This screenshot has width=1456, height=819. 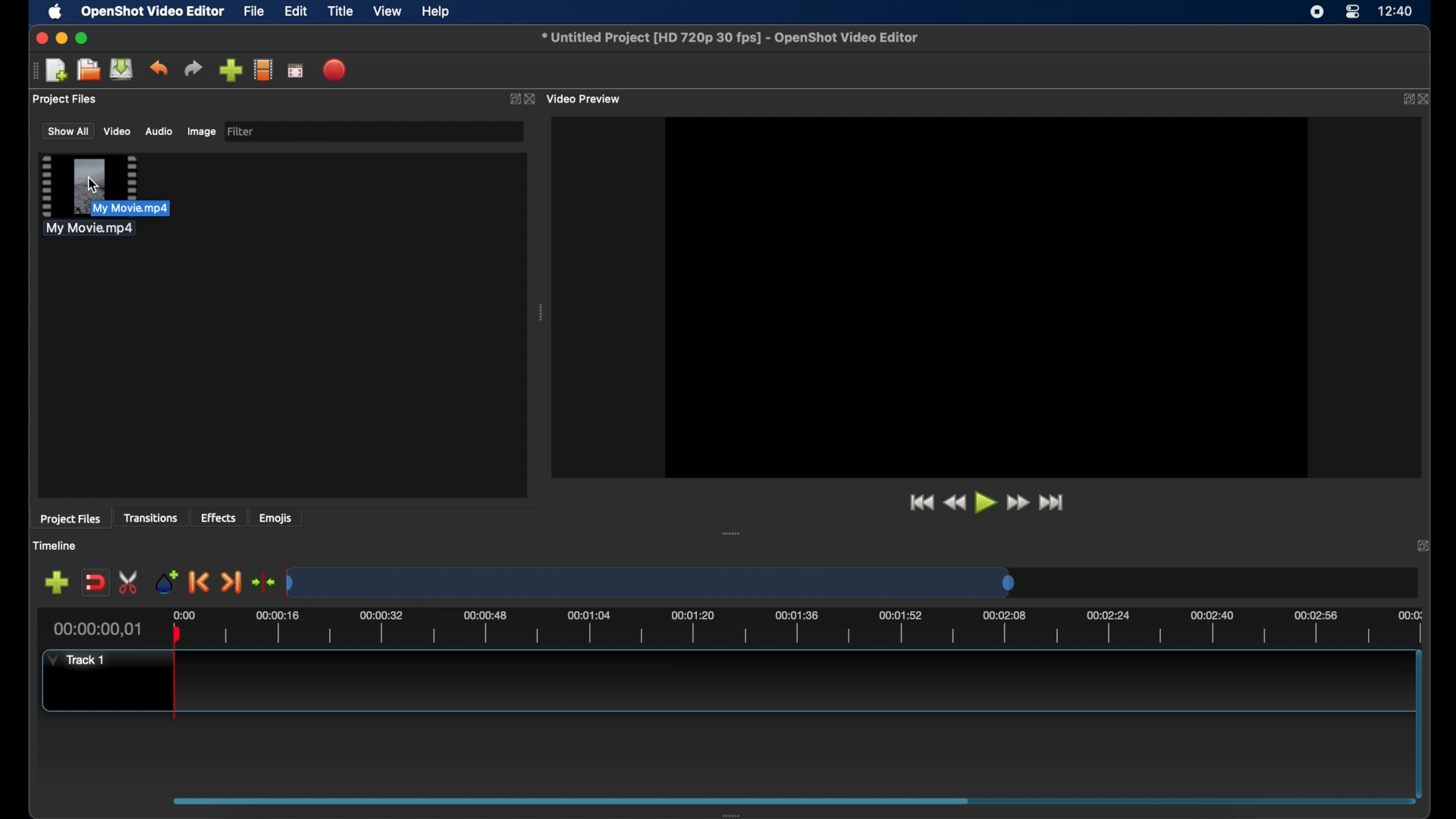 What do you see at coordinates (816, 629) in the screenshot?
I see `timeline scale` at bounding box center [816, 629].